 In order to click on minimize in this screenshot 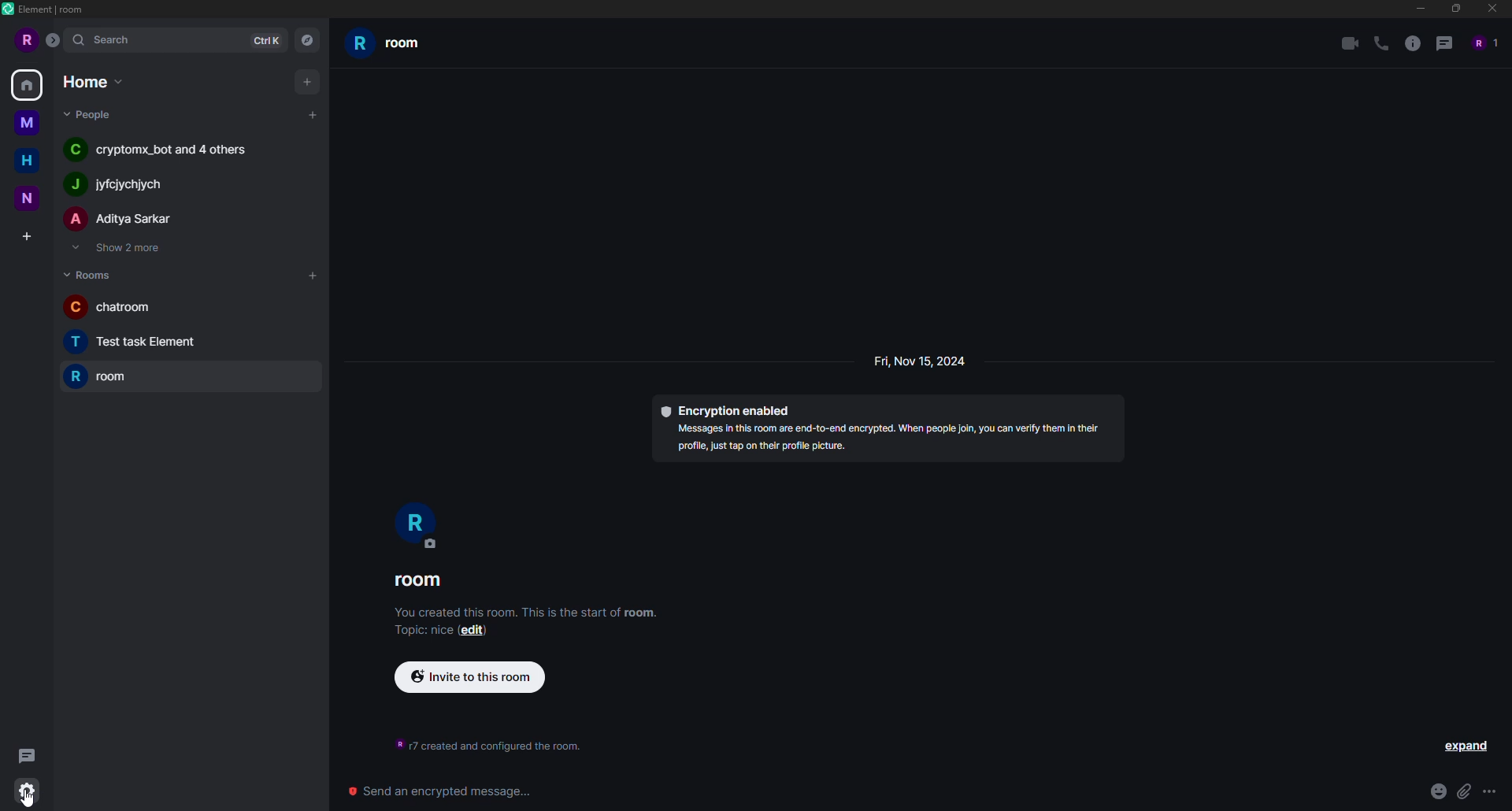, I will do `click(1416, 9)`.